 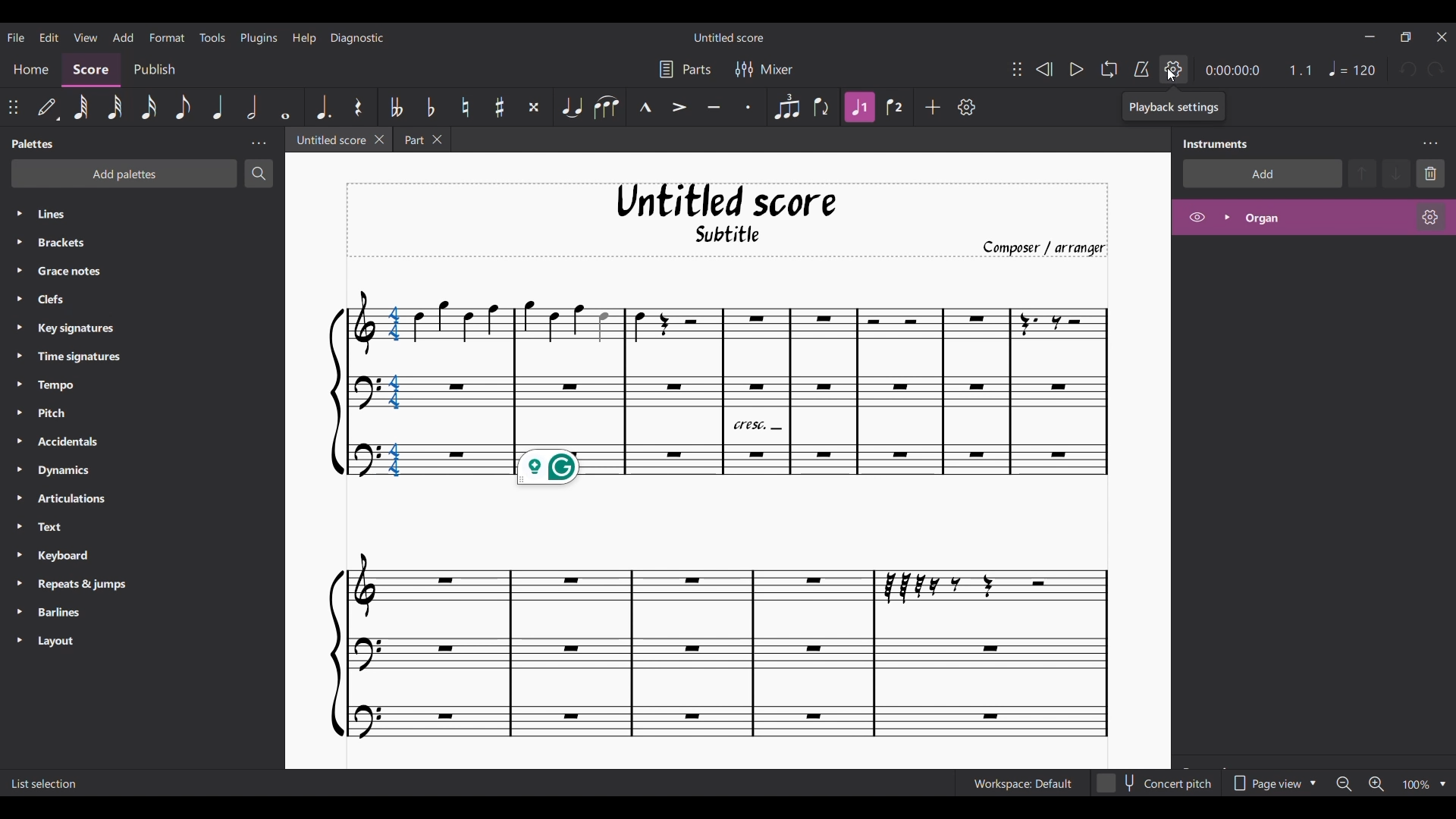 I want to click on Current workspace setting, so click(x=1022, y=784).